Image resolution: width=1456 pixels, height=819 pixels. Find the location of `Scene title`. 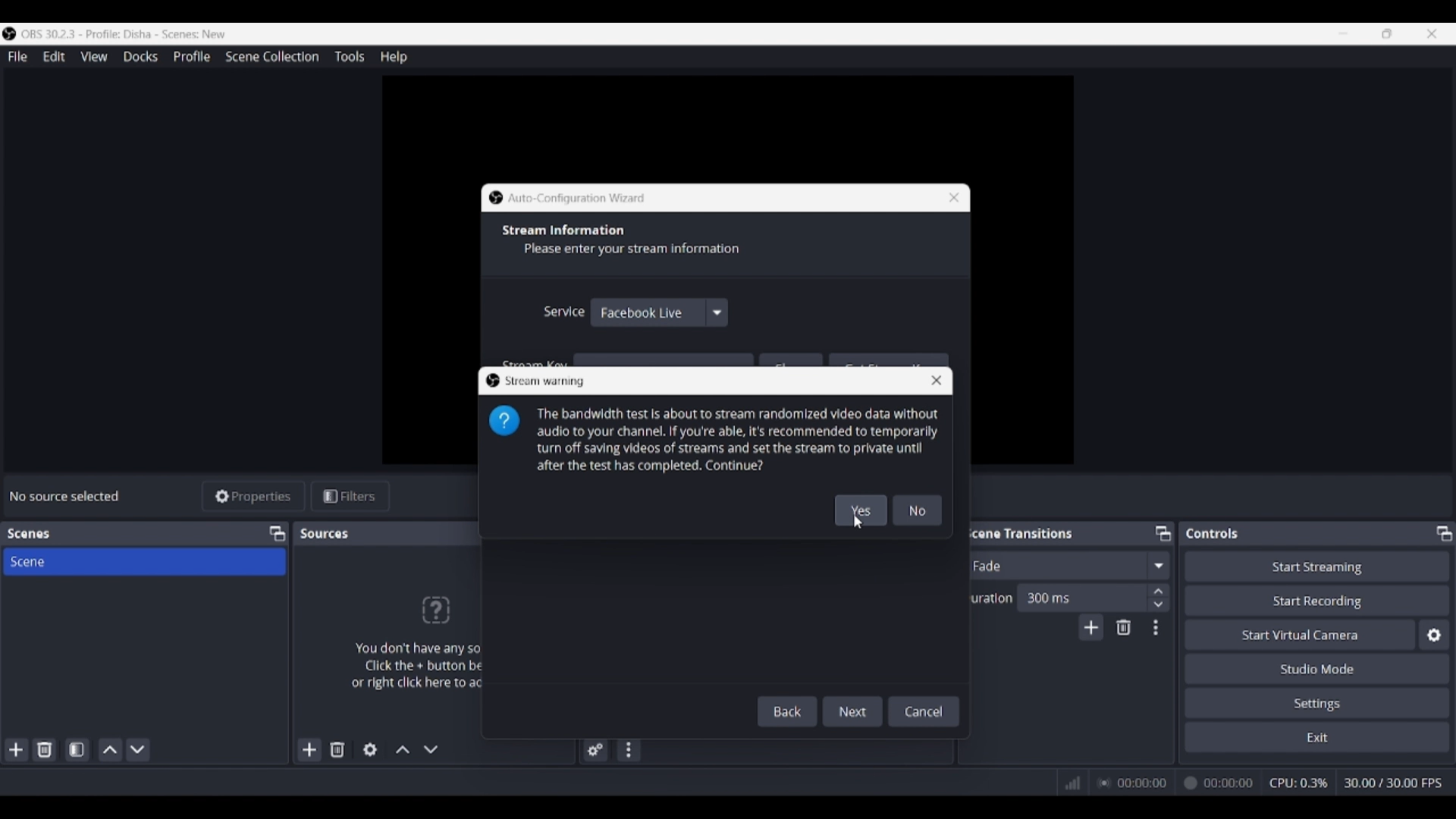

Scene title is located at coordinates (144, 561).